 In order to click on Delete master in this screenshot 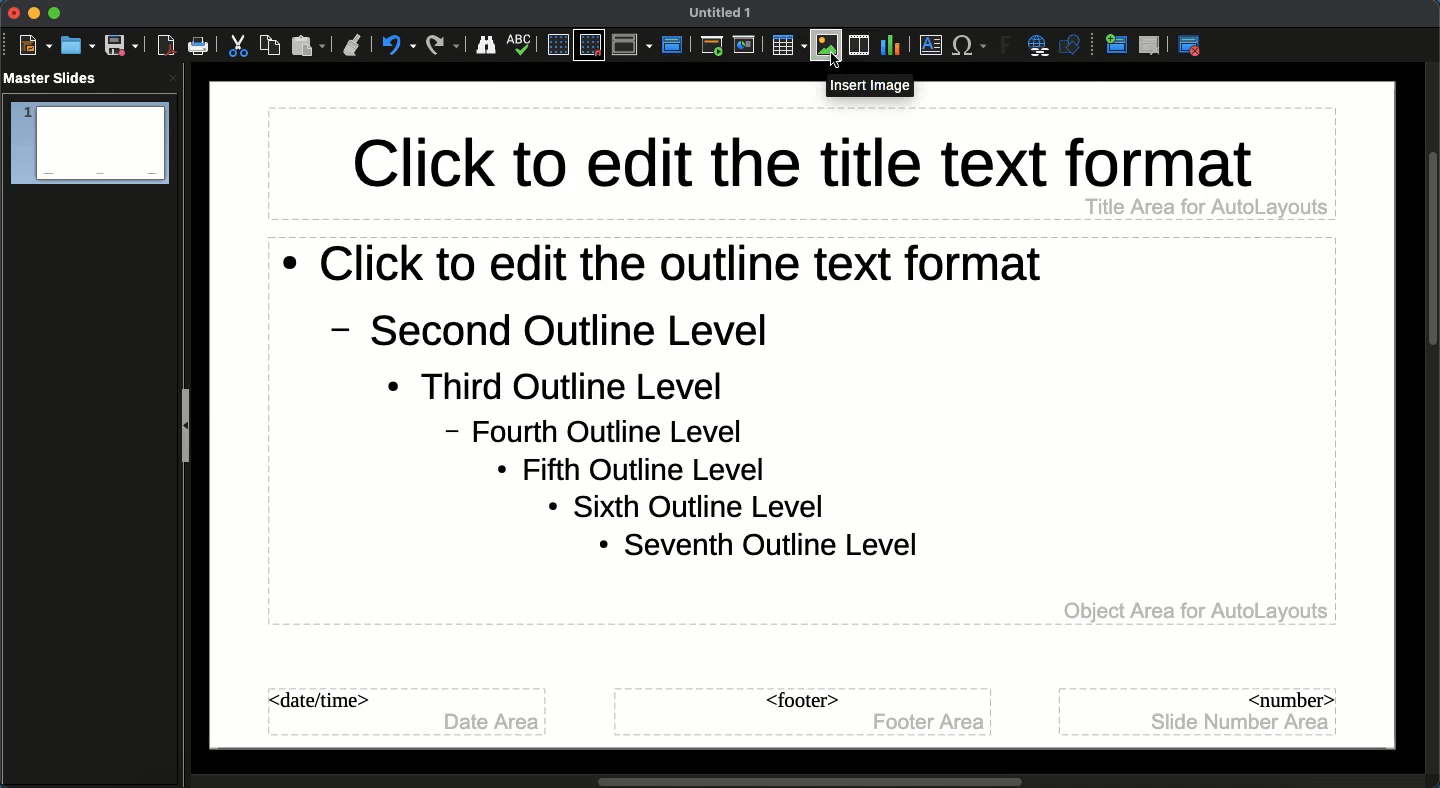, I will do `click(1153, 46)`.